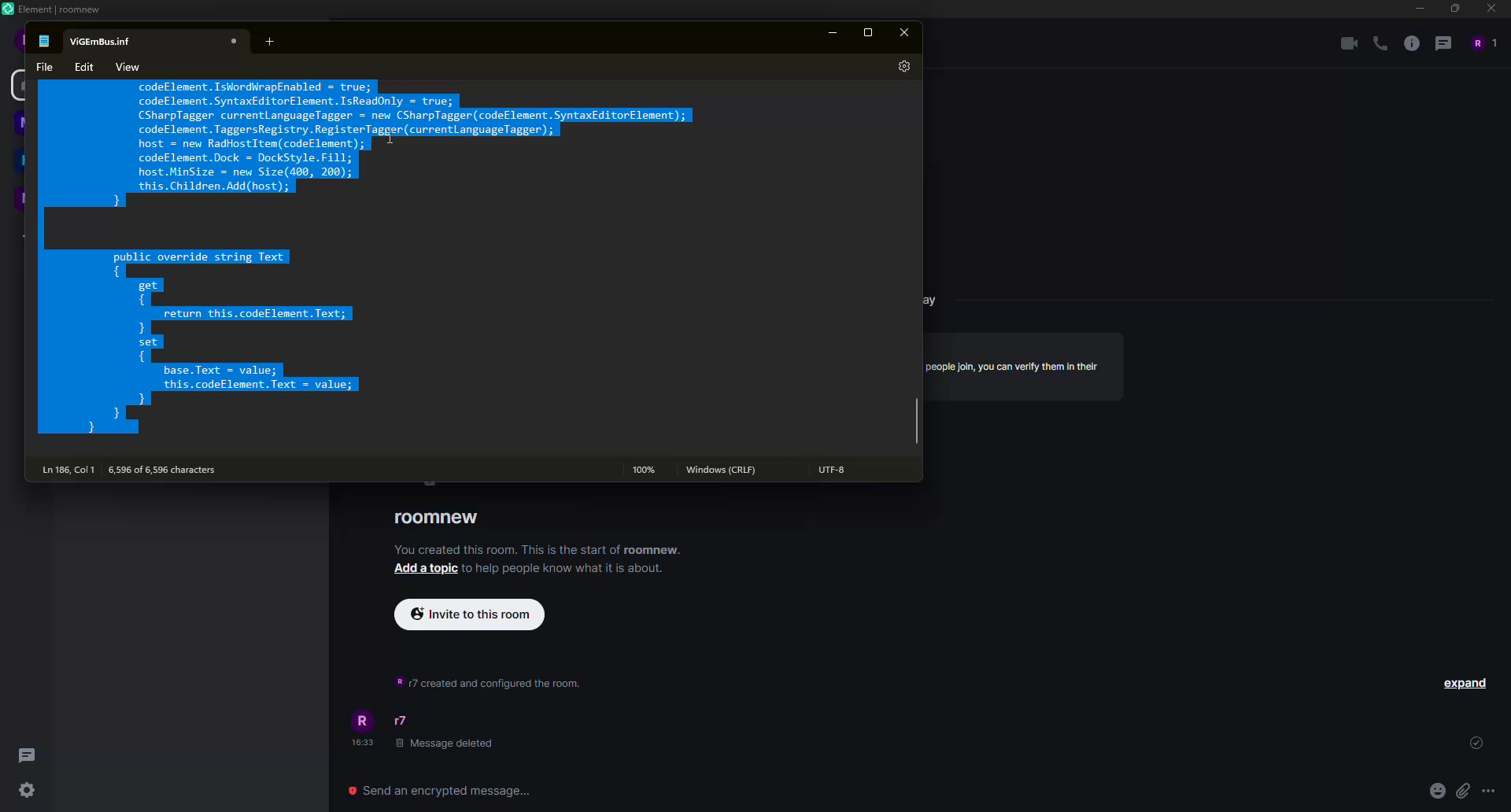 This screenshot has width=1511, height=812. Describe the element at coordinates (834, 32) in the screenshot. I see `minimize` at that location.